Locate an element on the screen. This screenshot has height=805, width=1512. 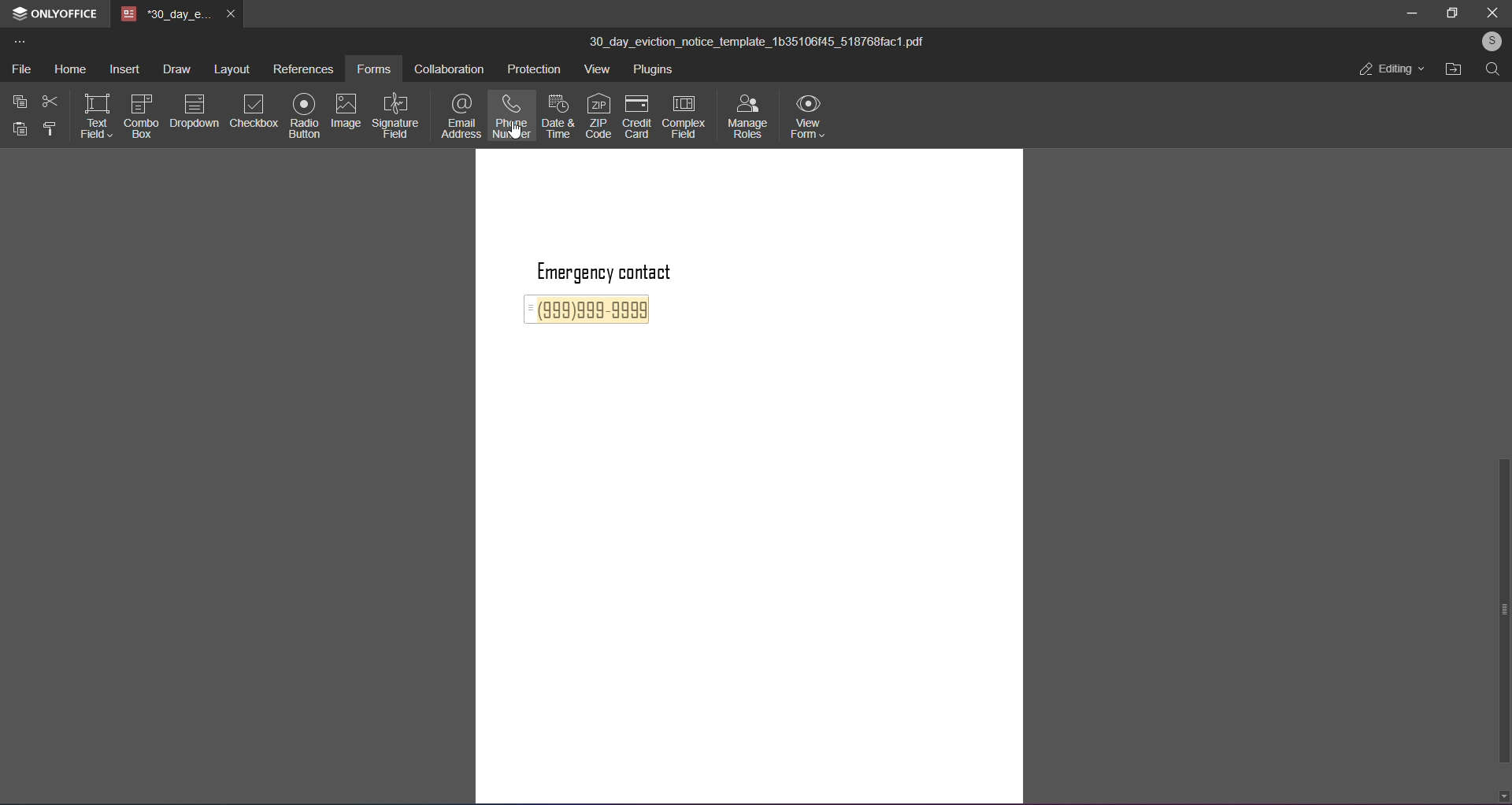
cursor is located at coordinates (516, 136).